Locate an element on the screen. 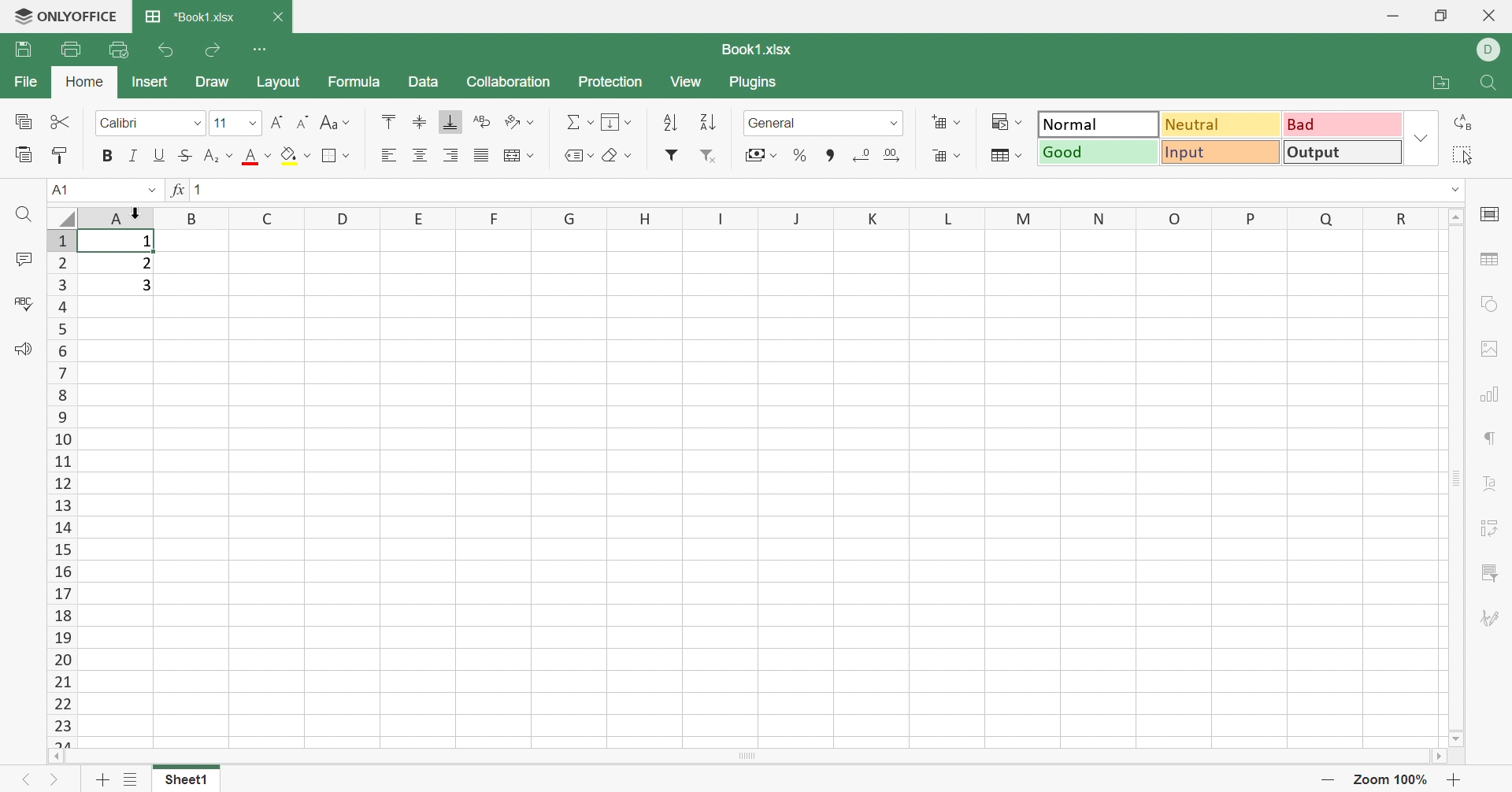 This screenshot has height=792, width=1512. Column names is located at coordinates (794, 218).